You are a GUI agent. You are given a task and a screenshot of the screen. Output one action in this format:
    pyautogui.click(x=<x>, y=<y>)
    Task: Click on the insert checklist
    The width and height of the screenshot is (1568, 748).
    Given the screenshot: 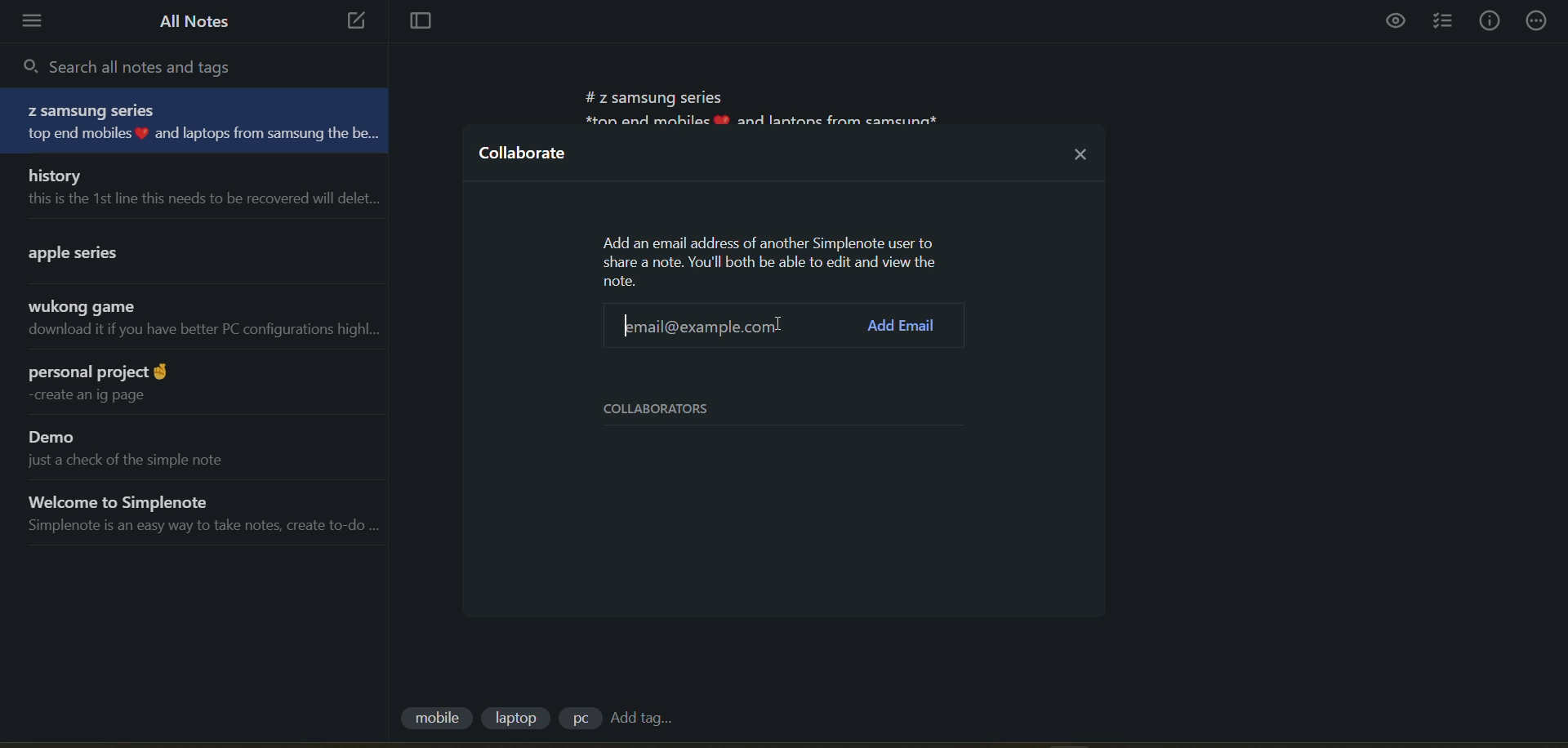 What is the action you would take?
    pyautogui.click(x=1446, y=22)
    